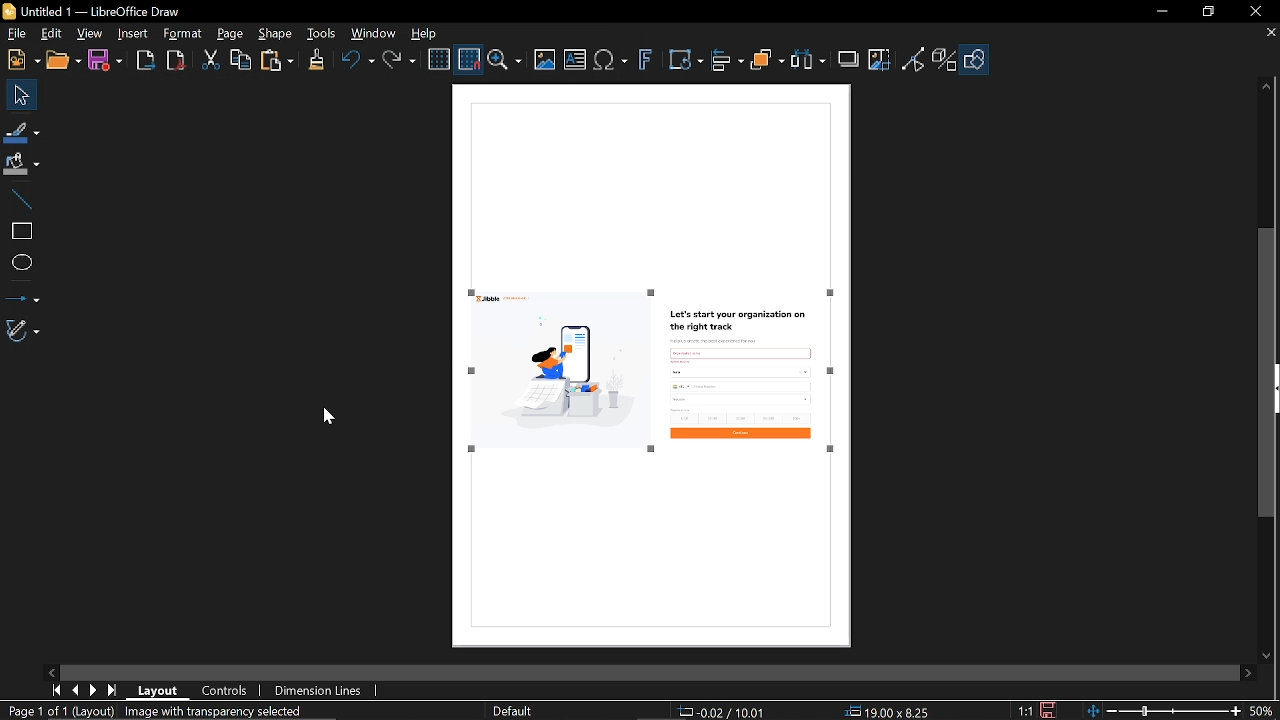 The width and height of the screenshot is (1280, 720). Describe the element at coordinates (768, 63) in the screenshot. I see `Arrange` at that location.